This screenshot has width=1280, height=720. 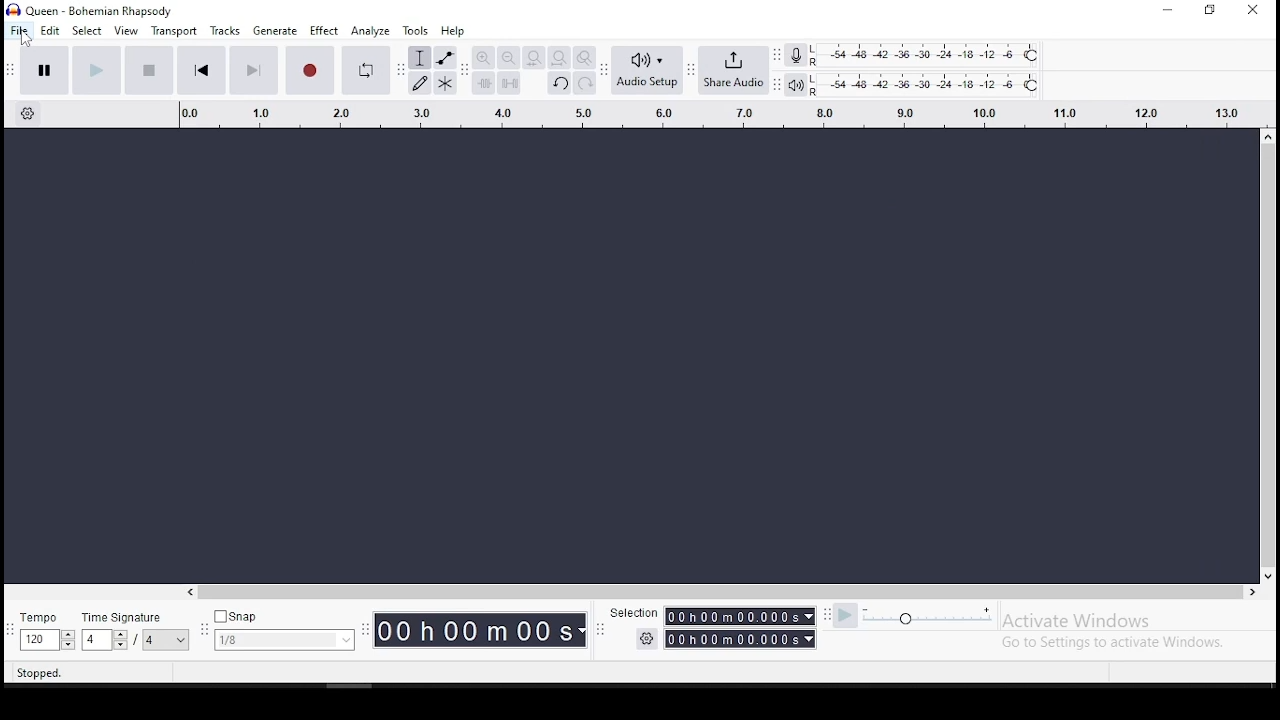 What do you see at coordinates (415, 31) in the screenshot?
I see `tools` at bounding box center [415, 31].